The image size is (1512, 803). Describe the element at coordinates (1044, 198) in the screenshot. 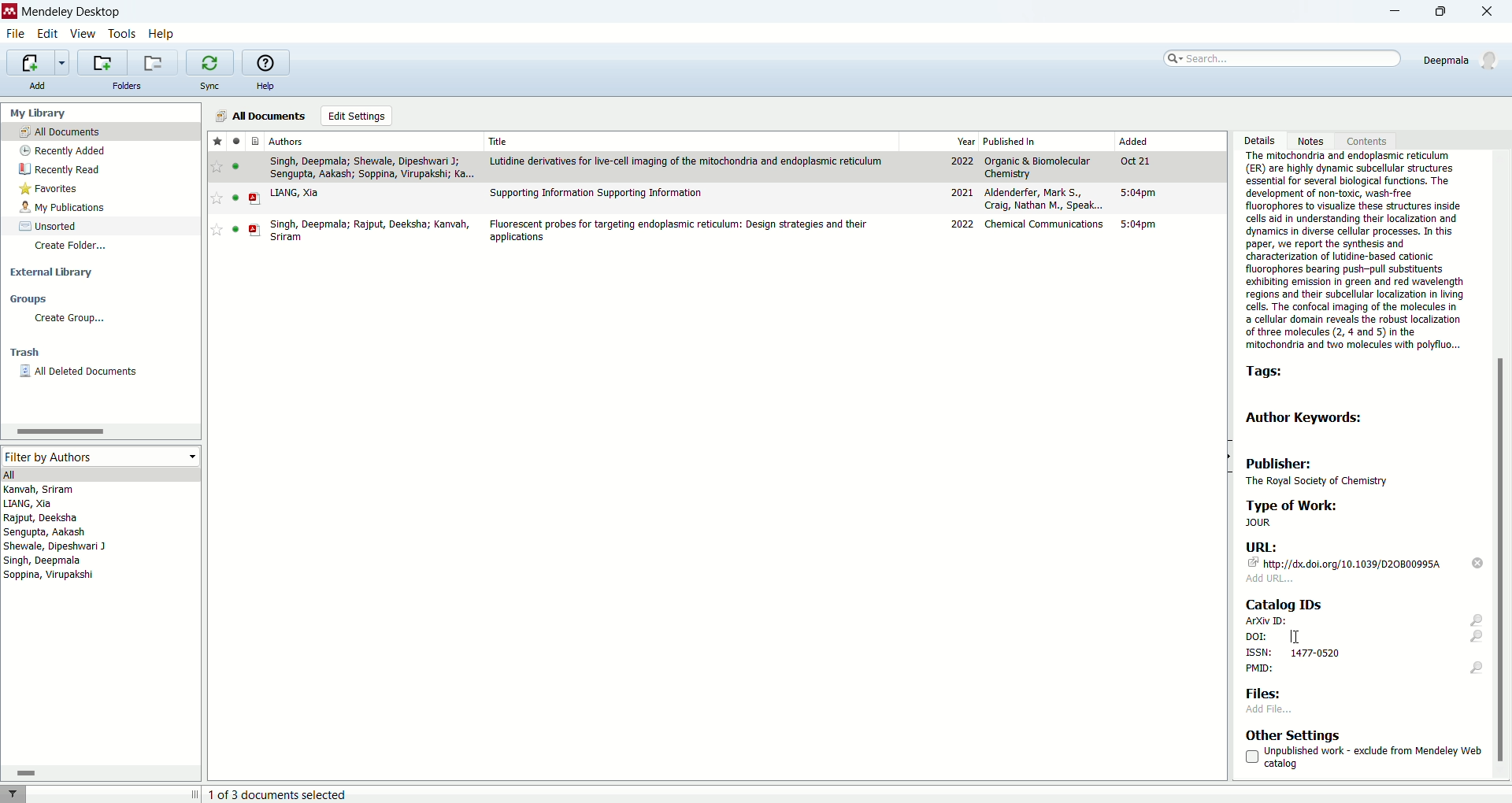

I see `aldenderfer, Mark S., Craig Nathan M., Speak...` at that location.